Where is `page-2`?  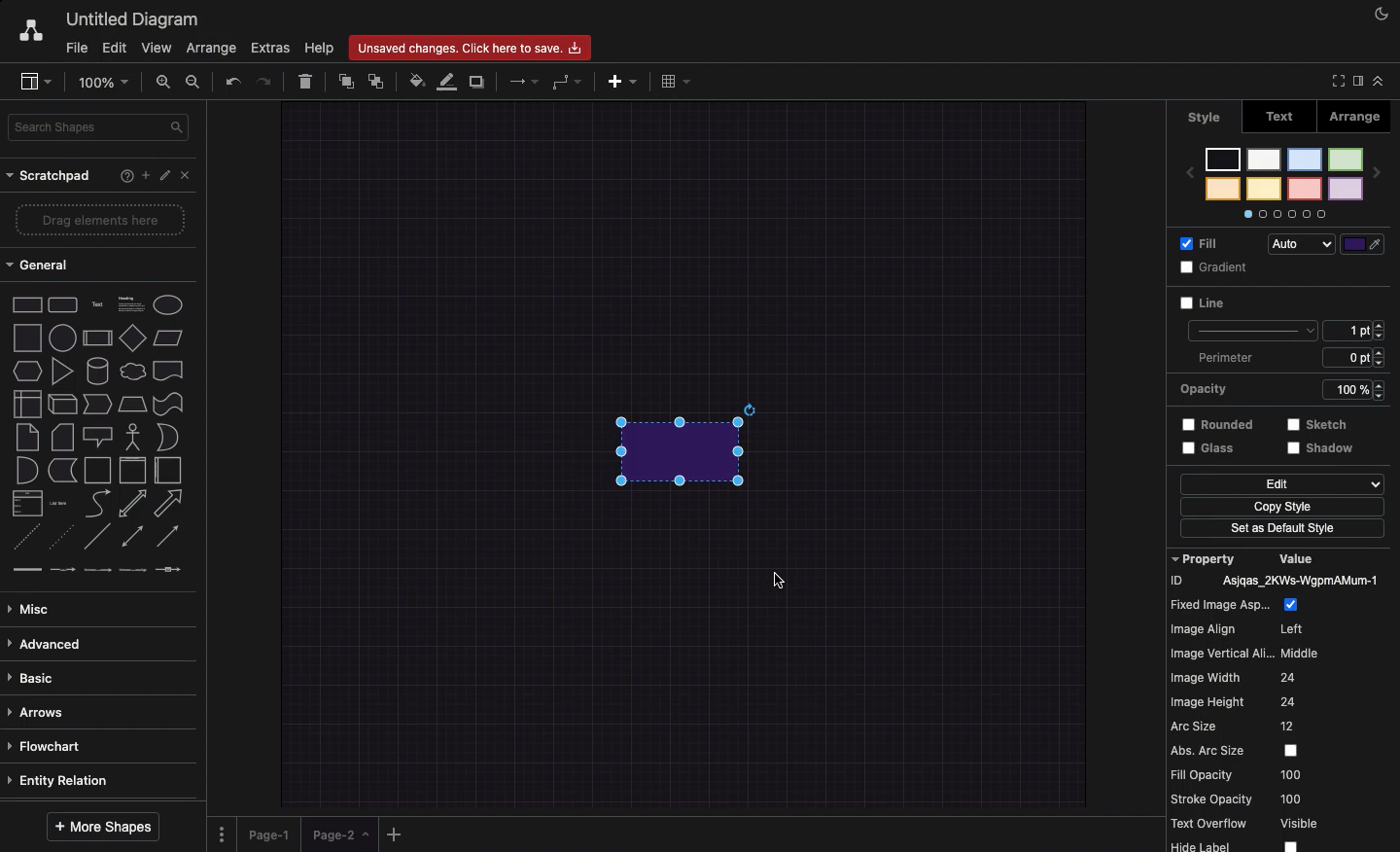 page-2 is located at coordinates (342, 834).